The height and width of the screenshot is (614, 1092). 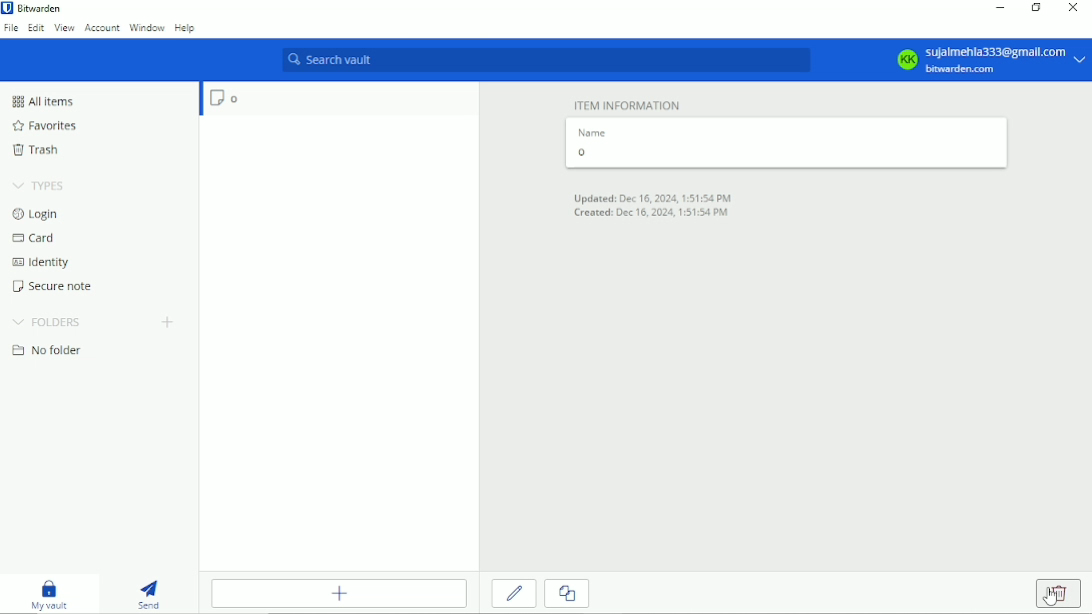 I want to click on Created: Dec 16, 2024, 1:51:54 PM, so click(x=658, y=213).